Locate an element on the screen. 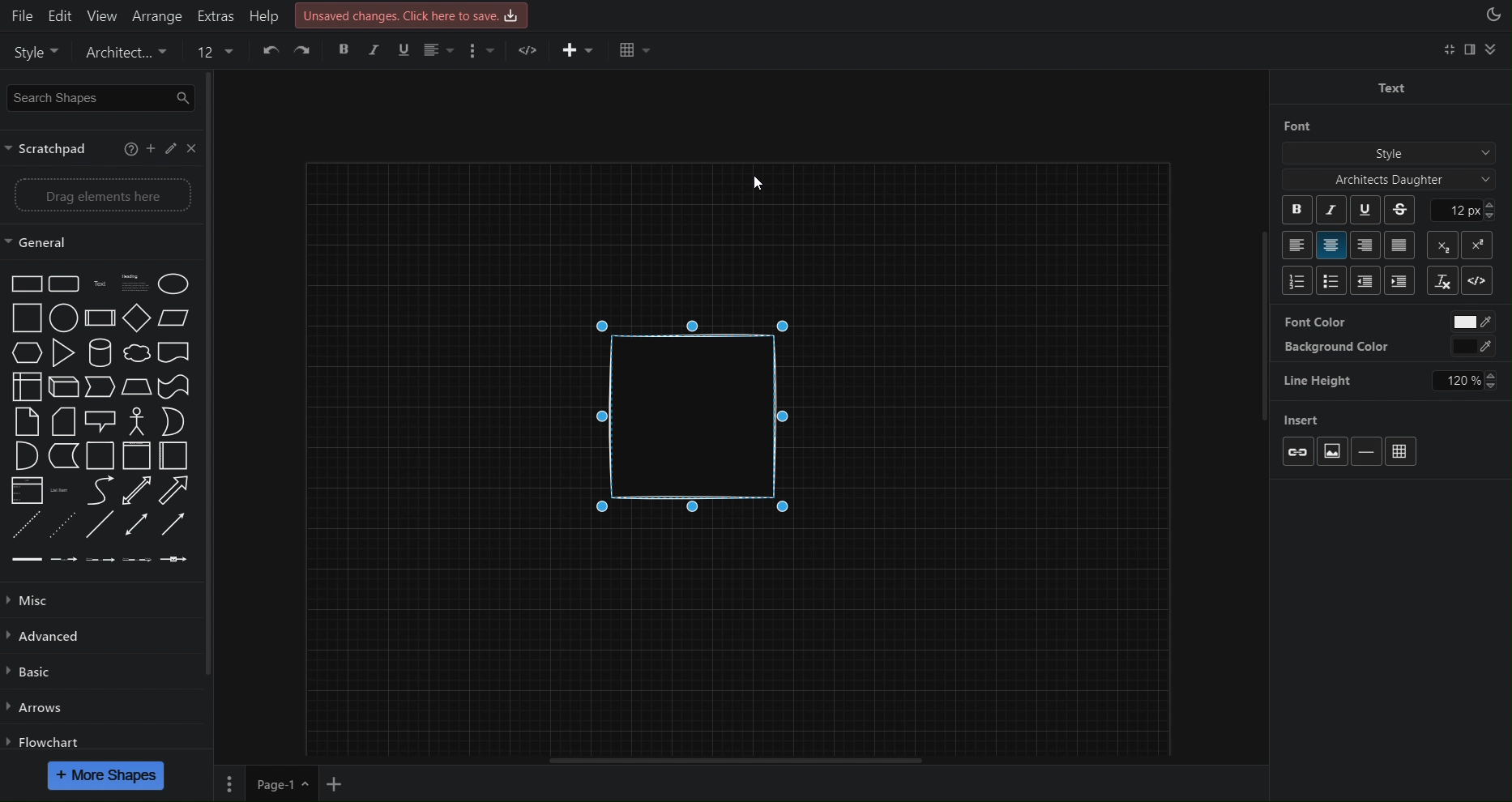 The height and width of the screenshot is (802, 1512). Zoom is located at coordinates (99, 52).